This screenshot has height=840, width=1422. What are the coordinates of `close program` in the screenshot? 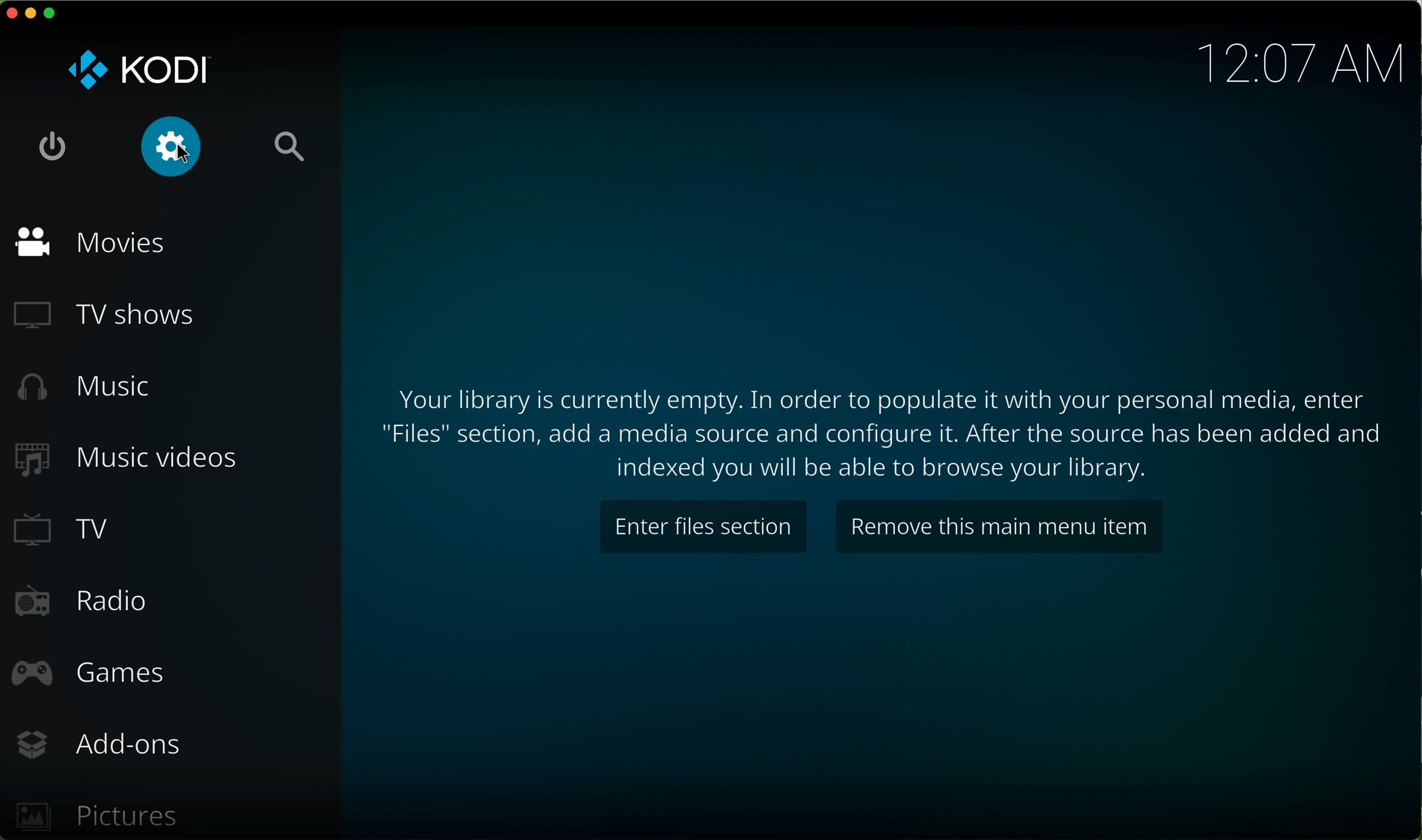 It's located at (10, 15).